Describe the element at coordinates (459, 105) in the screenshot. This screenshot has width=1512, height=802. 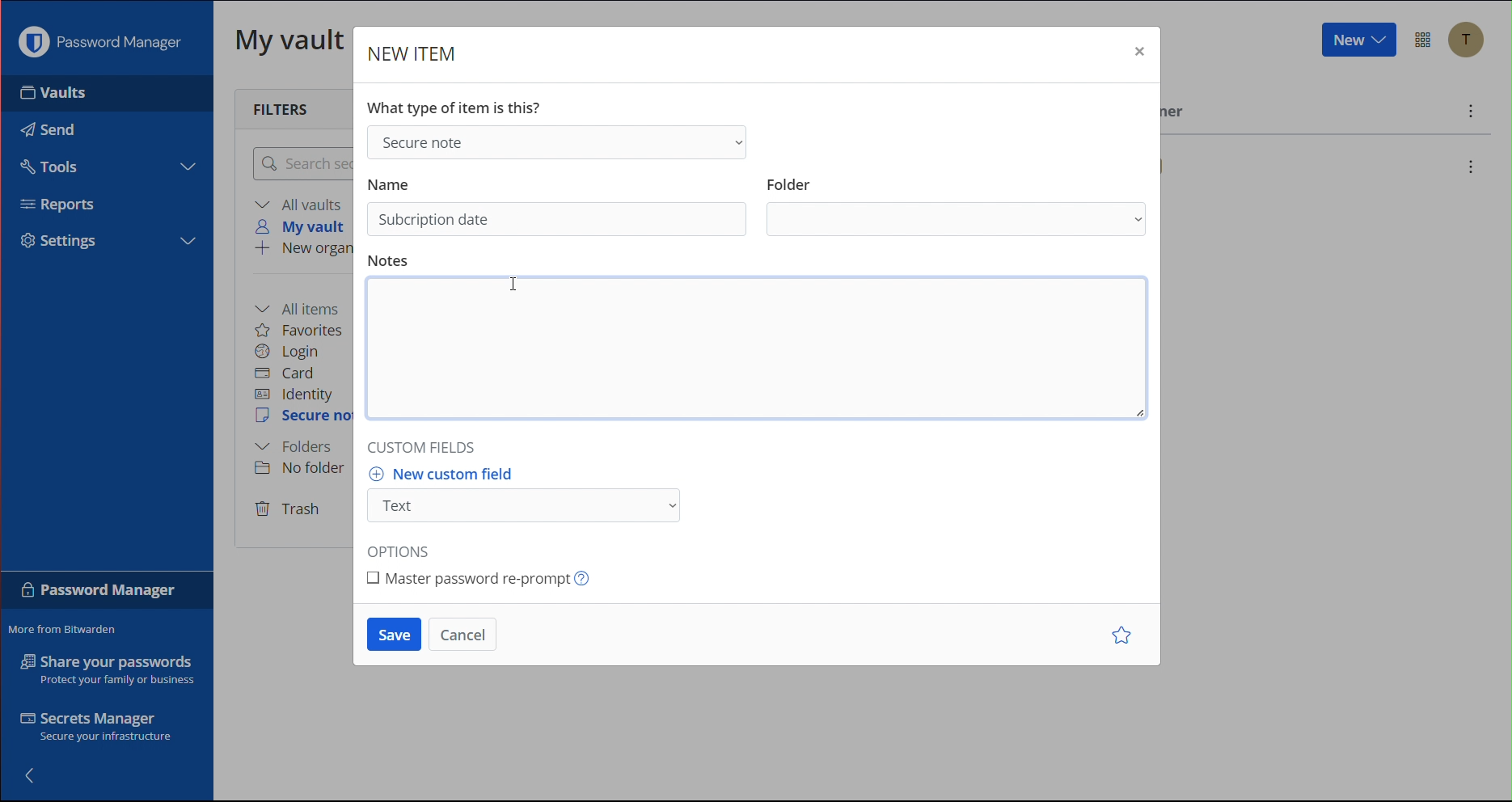
I see `What type of item is this?` at that location.